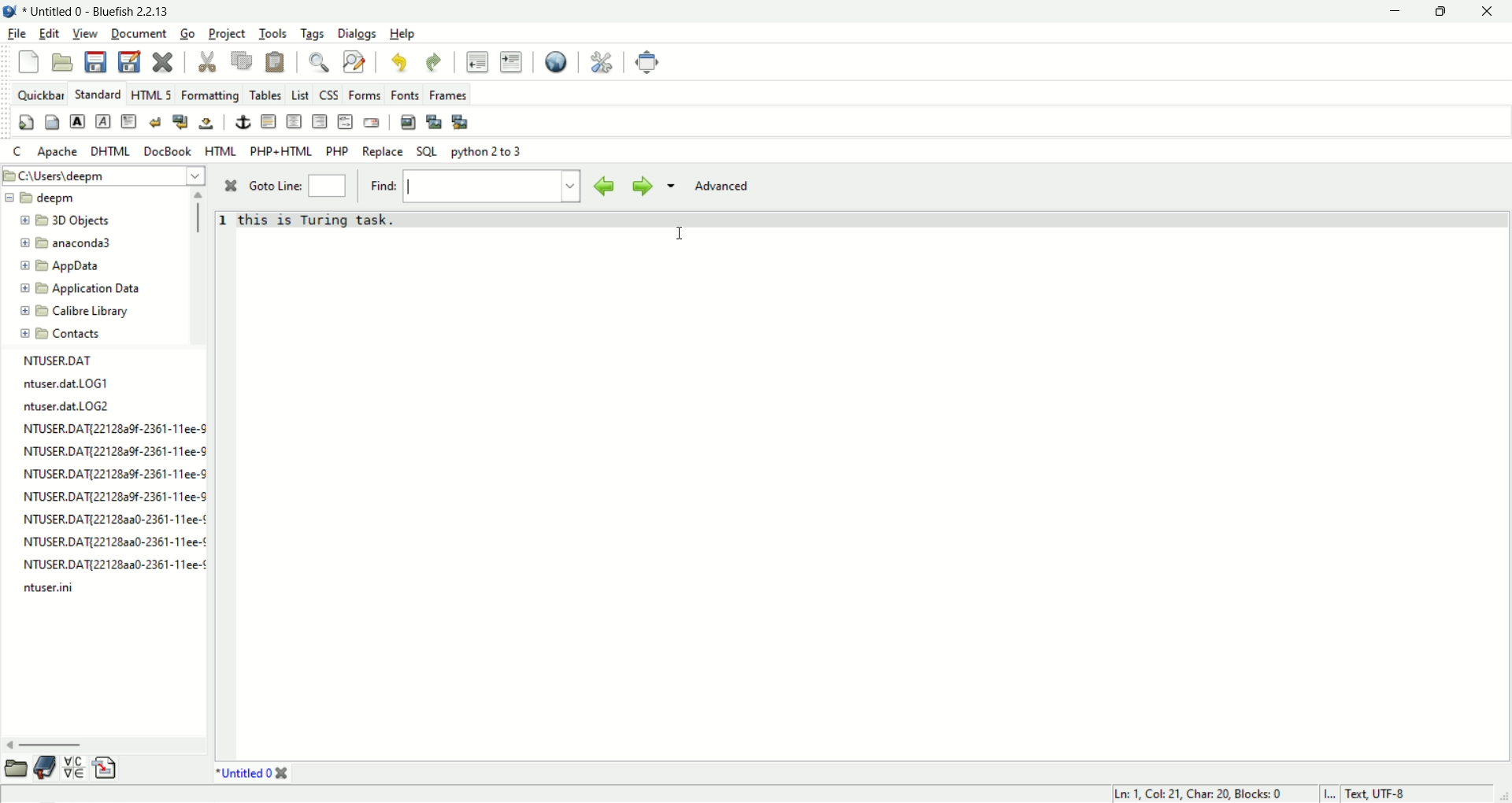 This screenshot has height=803, width=1512. I want to click on HTML, so click(222, 150).